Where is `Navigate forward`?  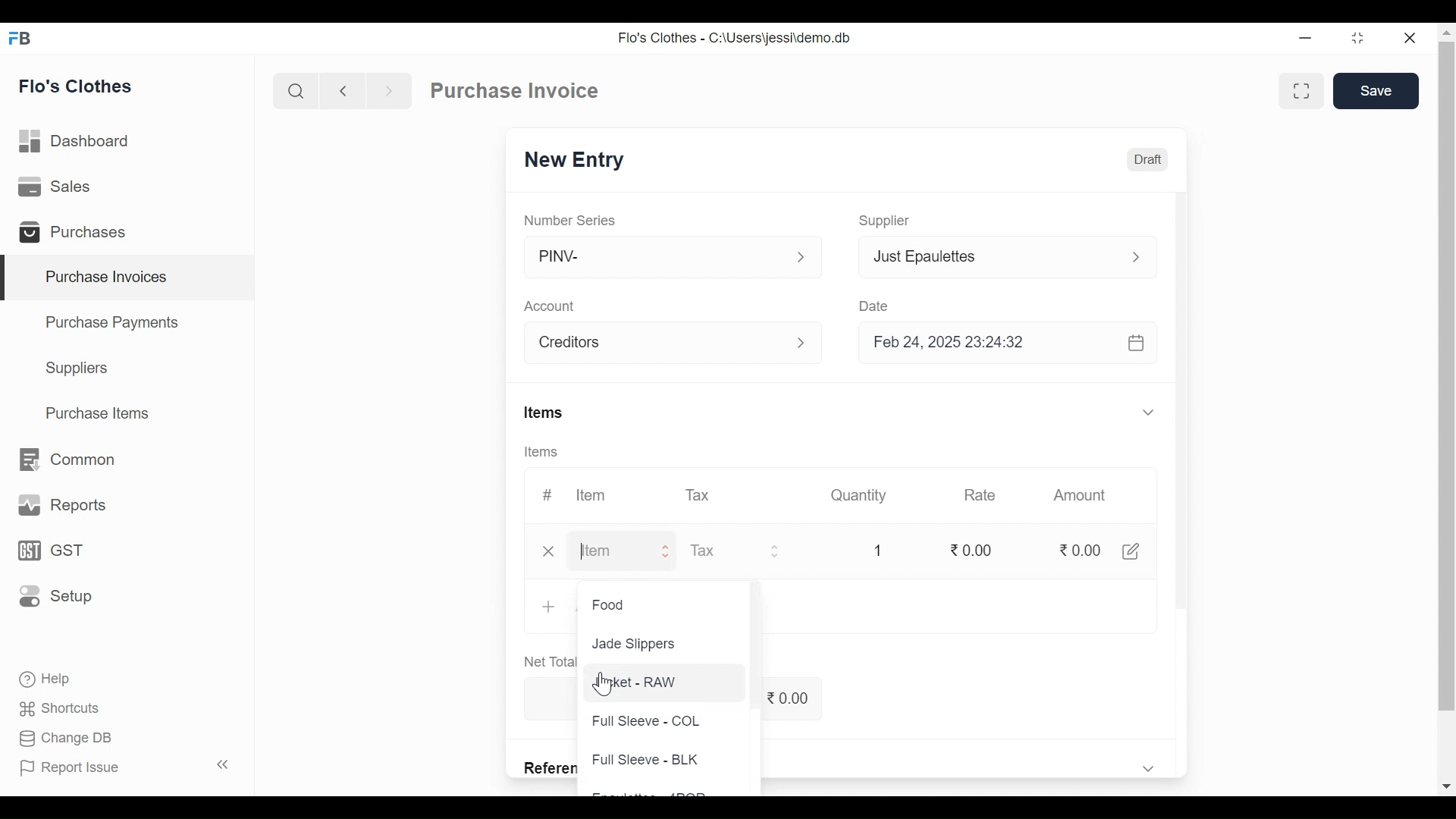 Navigate forward is located at coordinates (388, 91).